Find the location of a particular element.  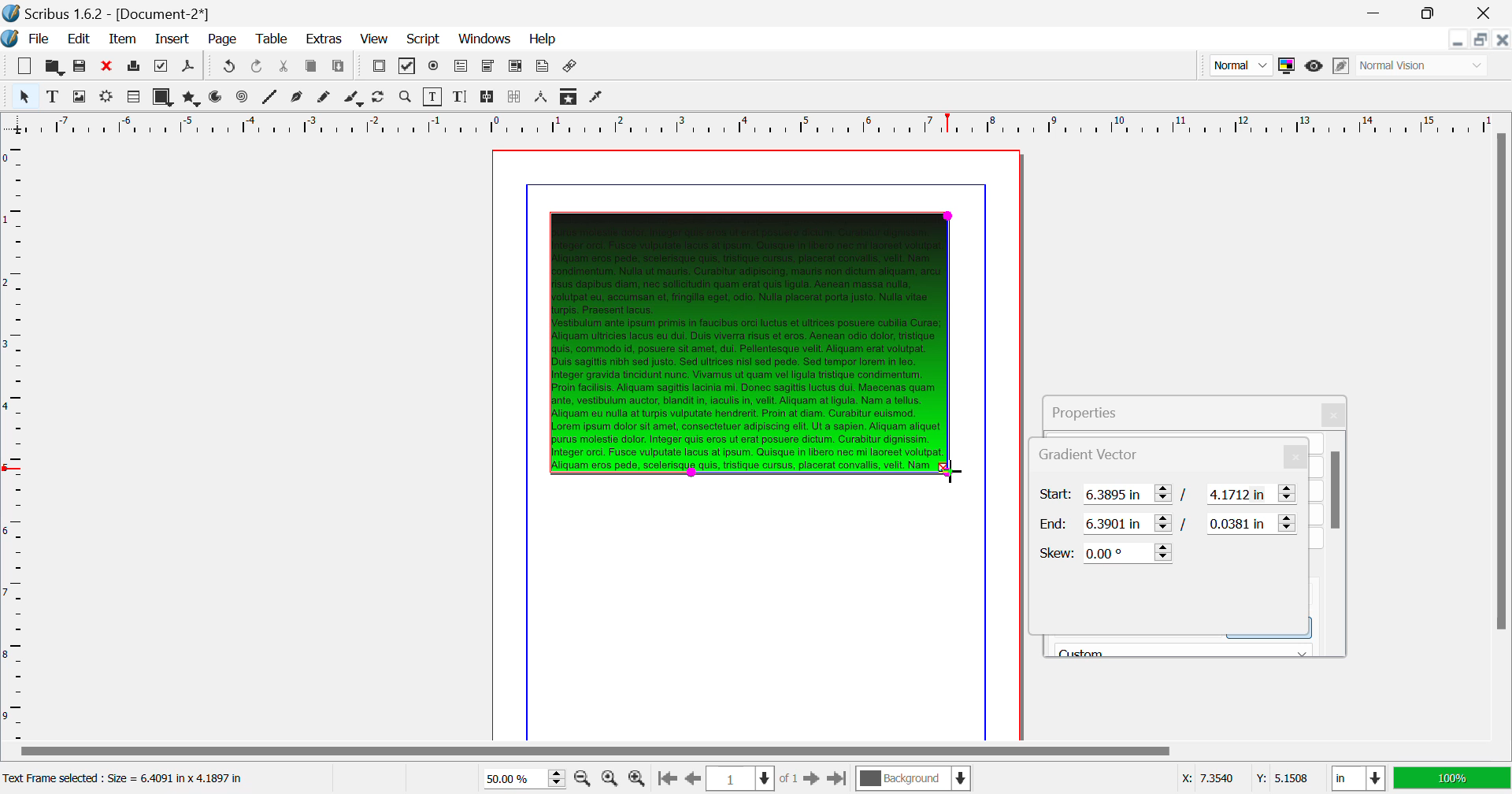

Page is located at coordinates (221, 40).